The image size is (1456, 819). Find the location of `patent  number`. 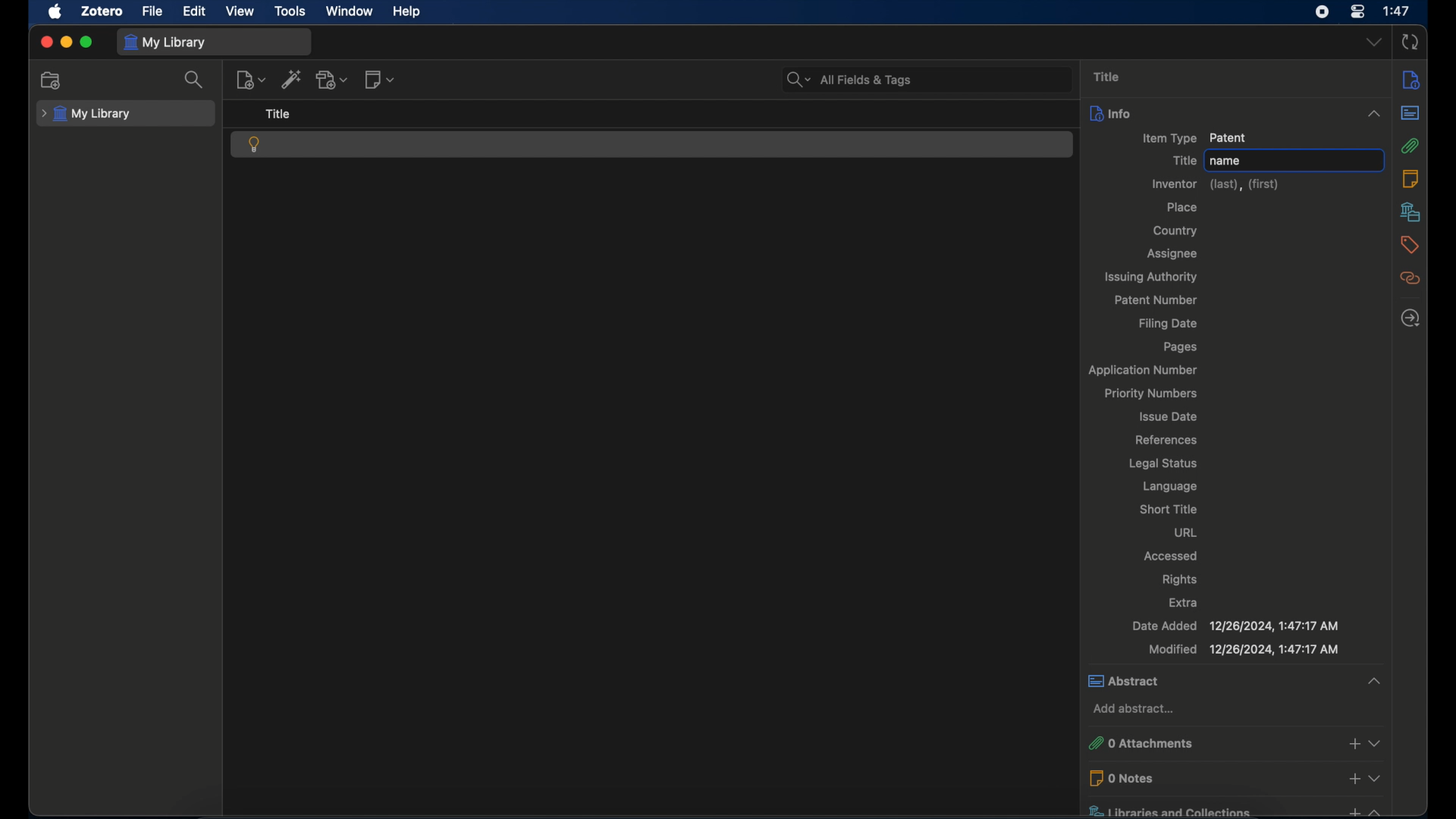

patent  number is located at coordinates (1156, 300).